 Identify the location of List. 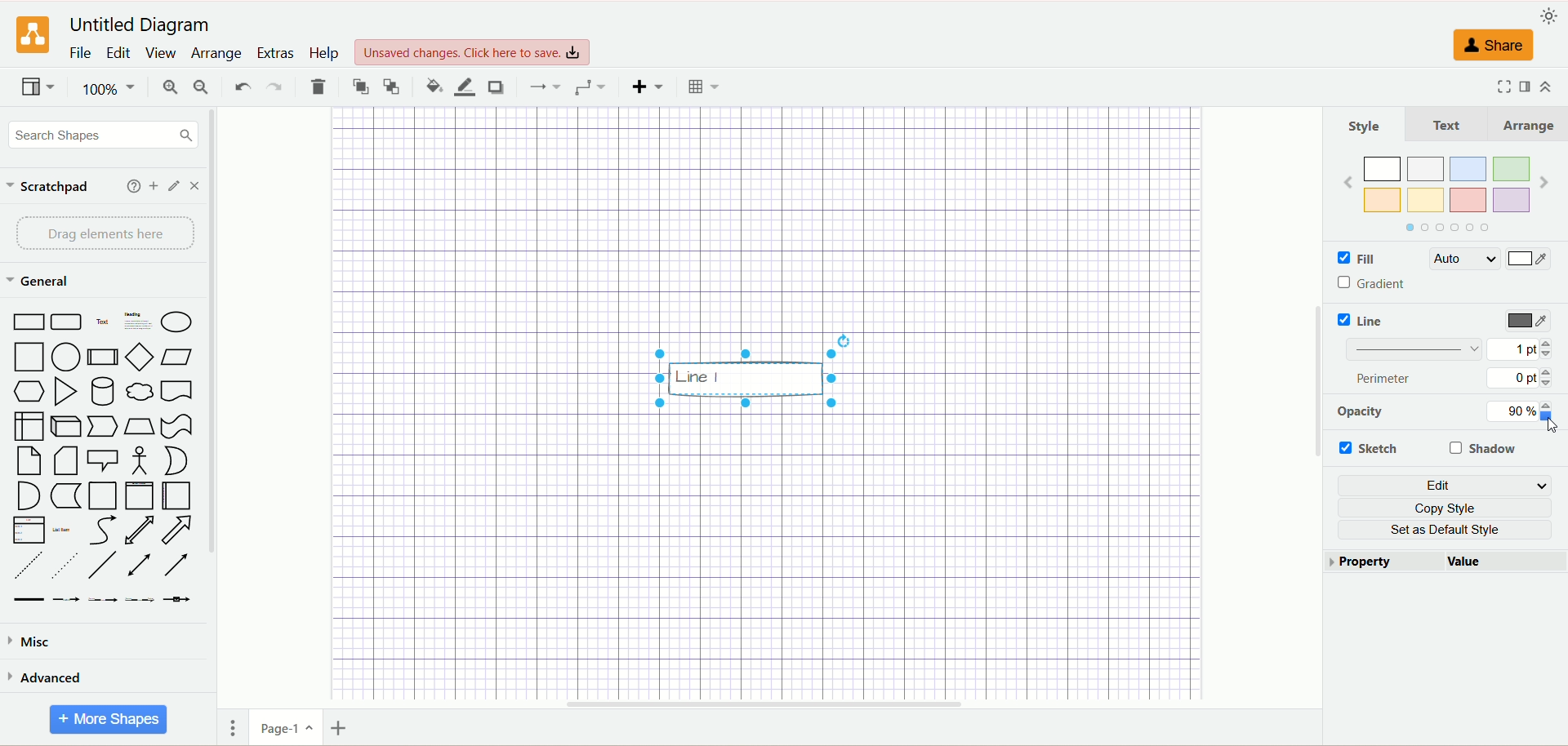
(29, 531).